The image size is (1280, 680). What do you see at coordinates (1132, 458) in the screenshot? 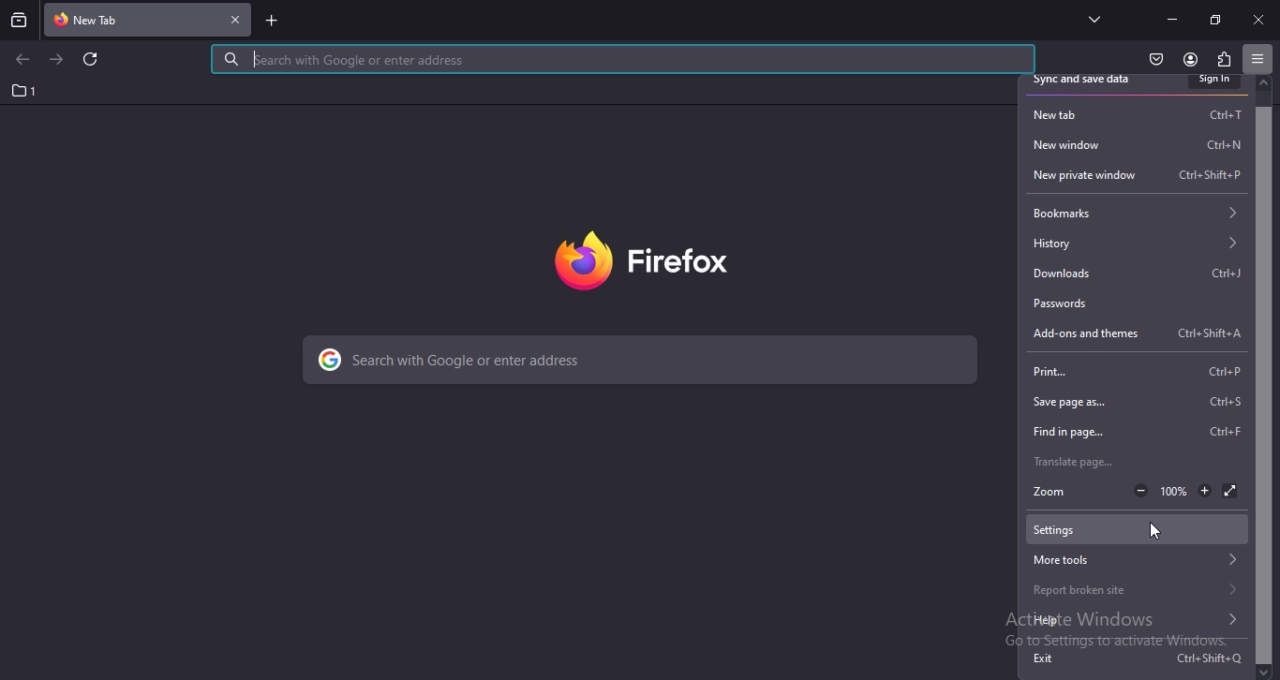
I see `translate page` at bounding box center [1132, 458].